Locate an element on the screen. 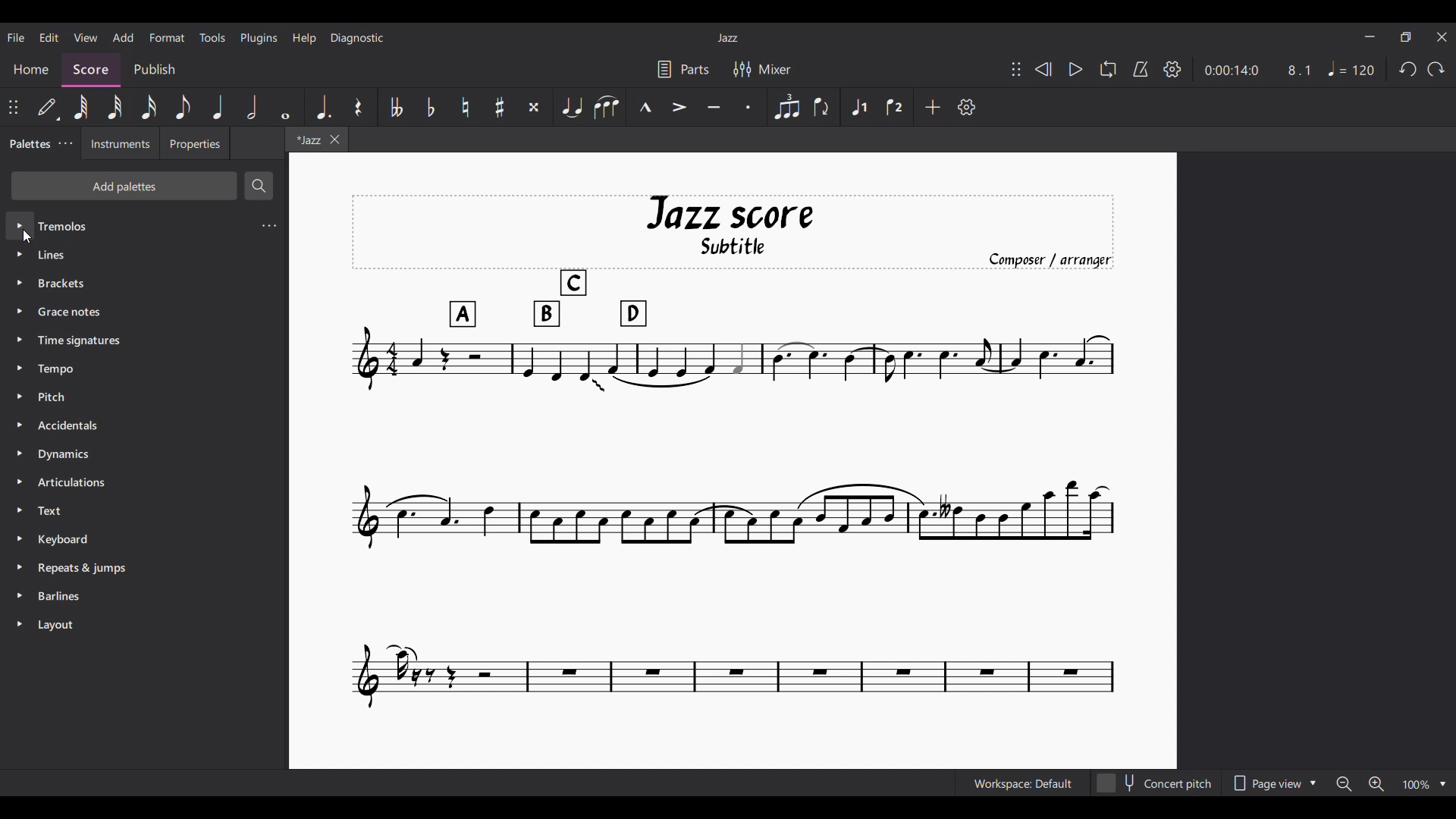 The width and height of the screenshot is (1456, 819). Play is located at coordinates (1076, 69).